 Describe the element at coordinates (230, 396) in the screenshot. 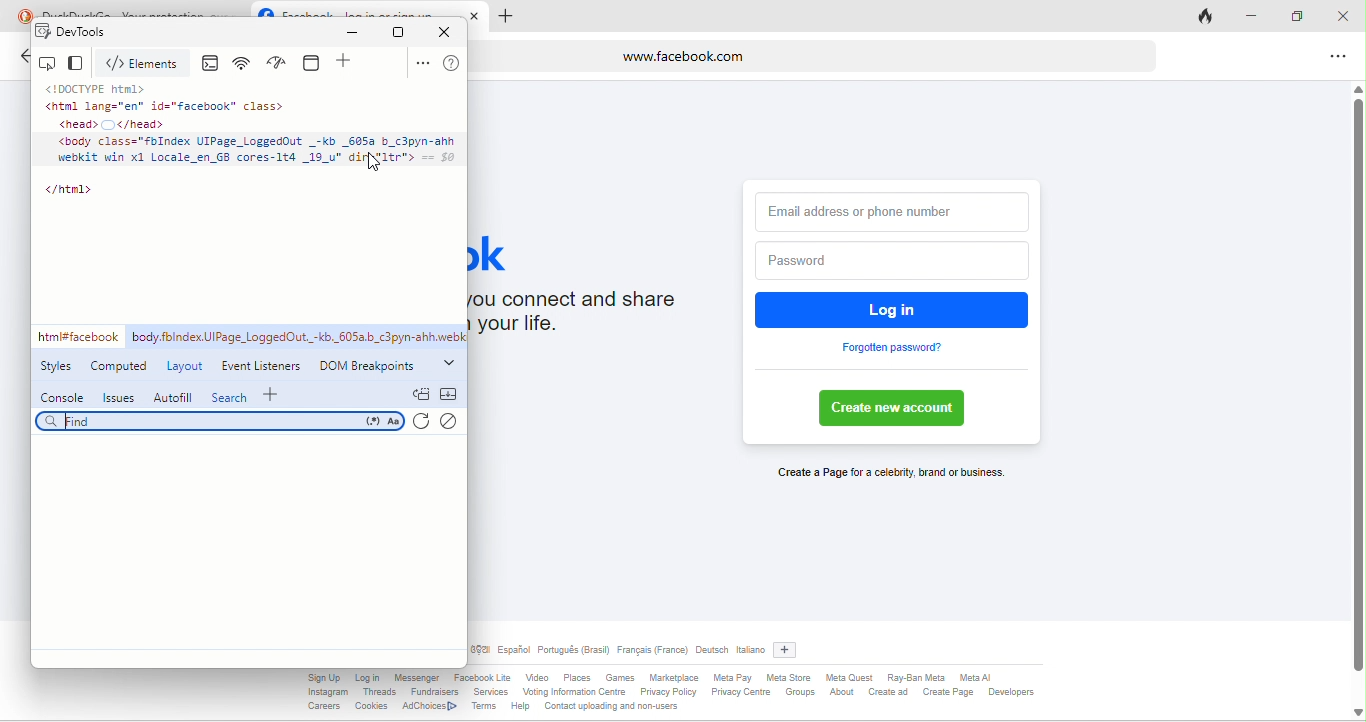

I see `search` at that location.